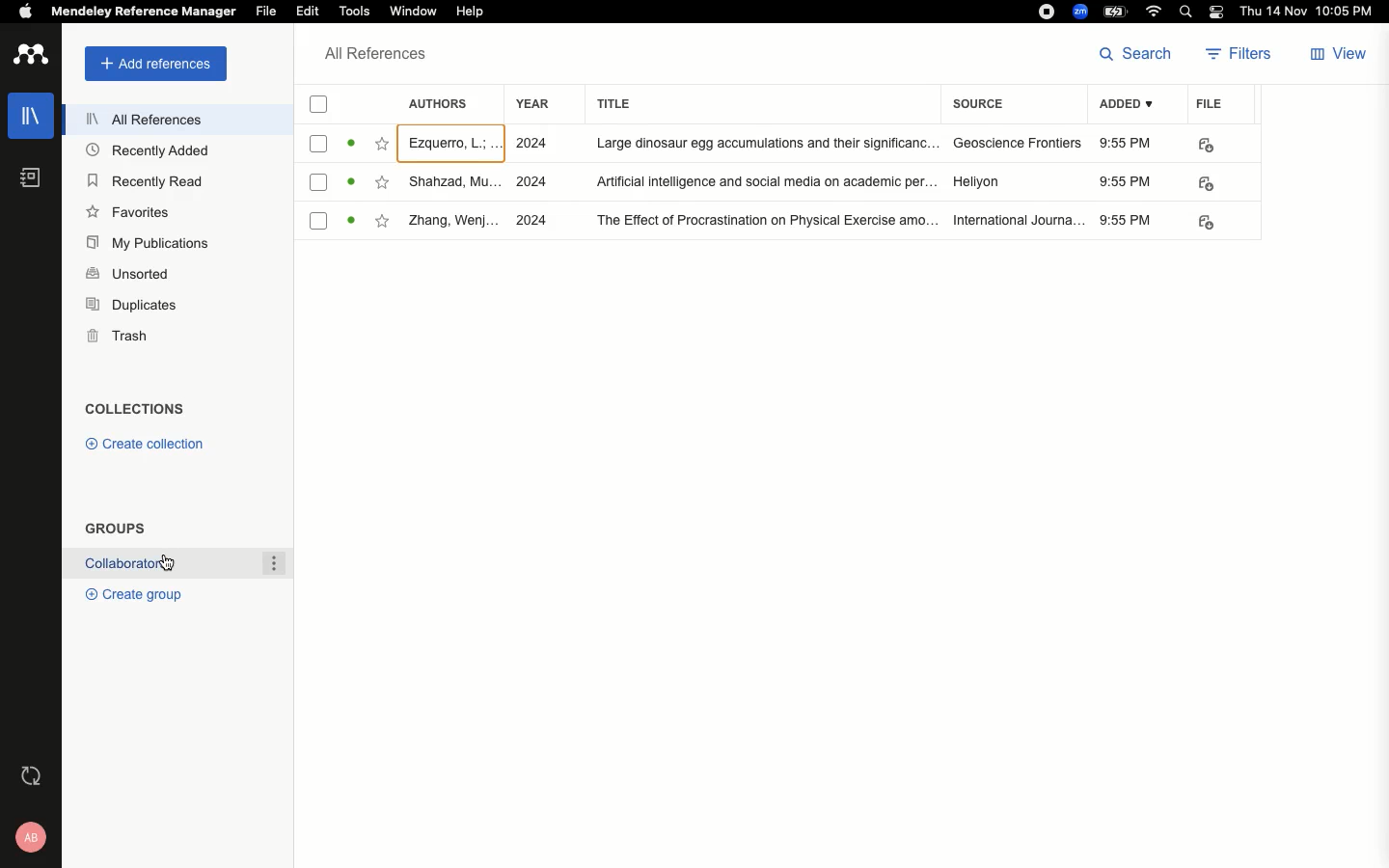  Describe the element at coordinates (1126, 181) in the screenshot. I see `9:55 PM` at that location.